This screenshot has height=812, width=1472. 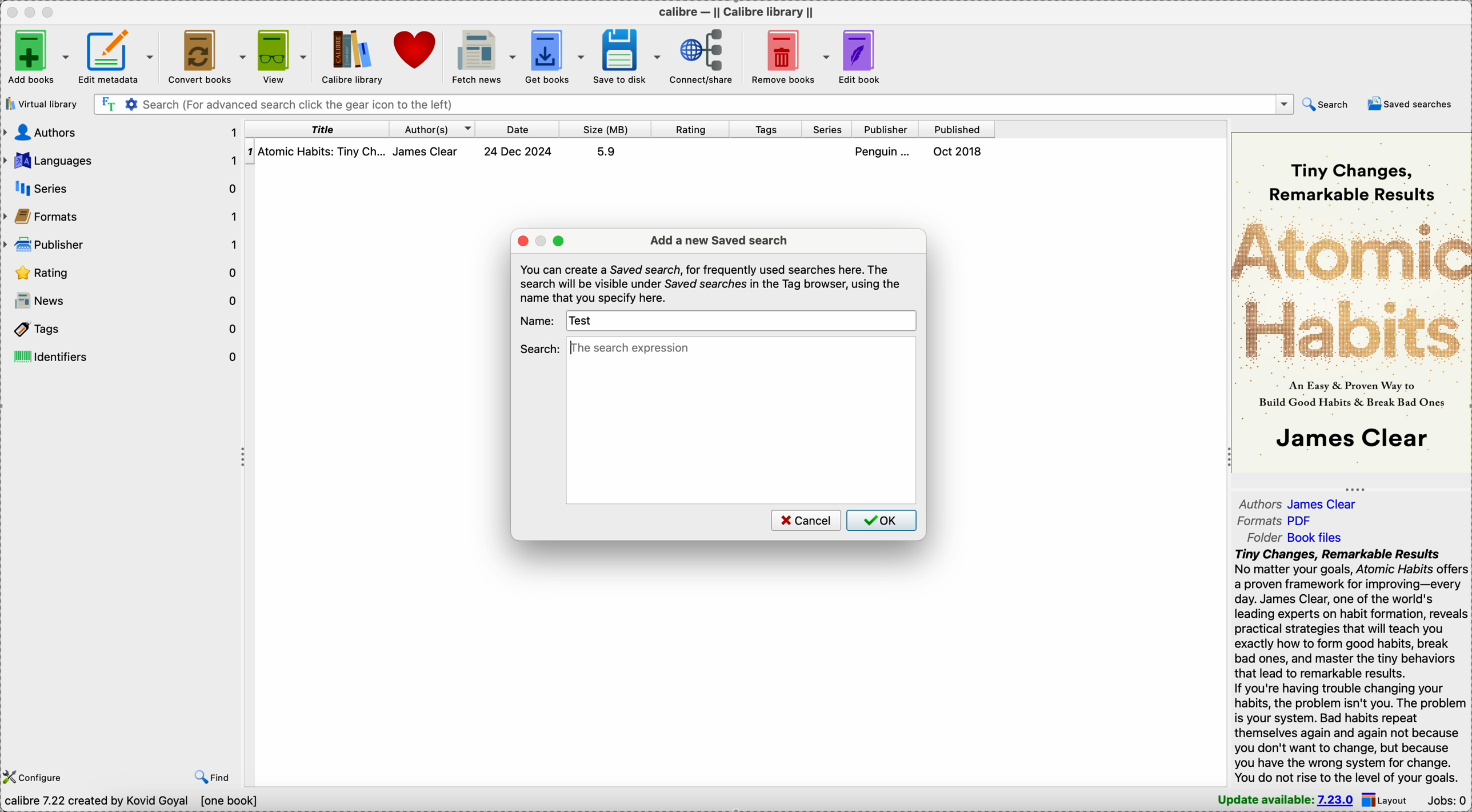 What do you see at coordinates (959, 151) in the screenshot?
I see `Oct 2018` at bounding box center [959, 151].